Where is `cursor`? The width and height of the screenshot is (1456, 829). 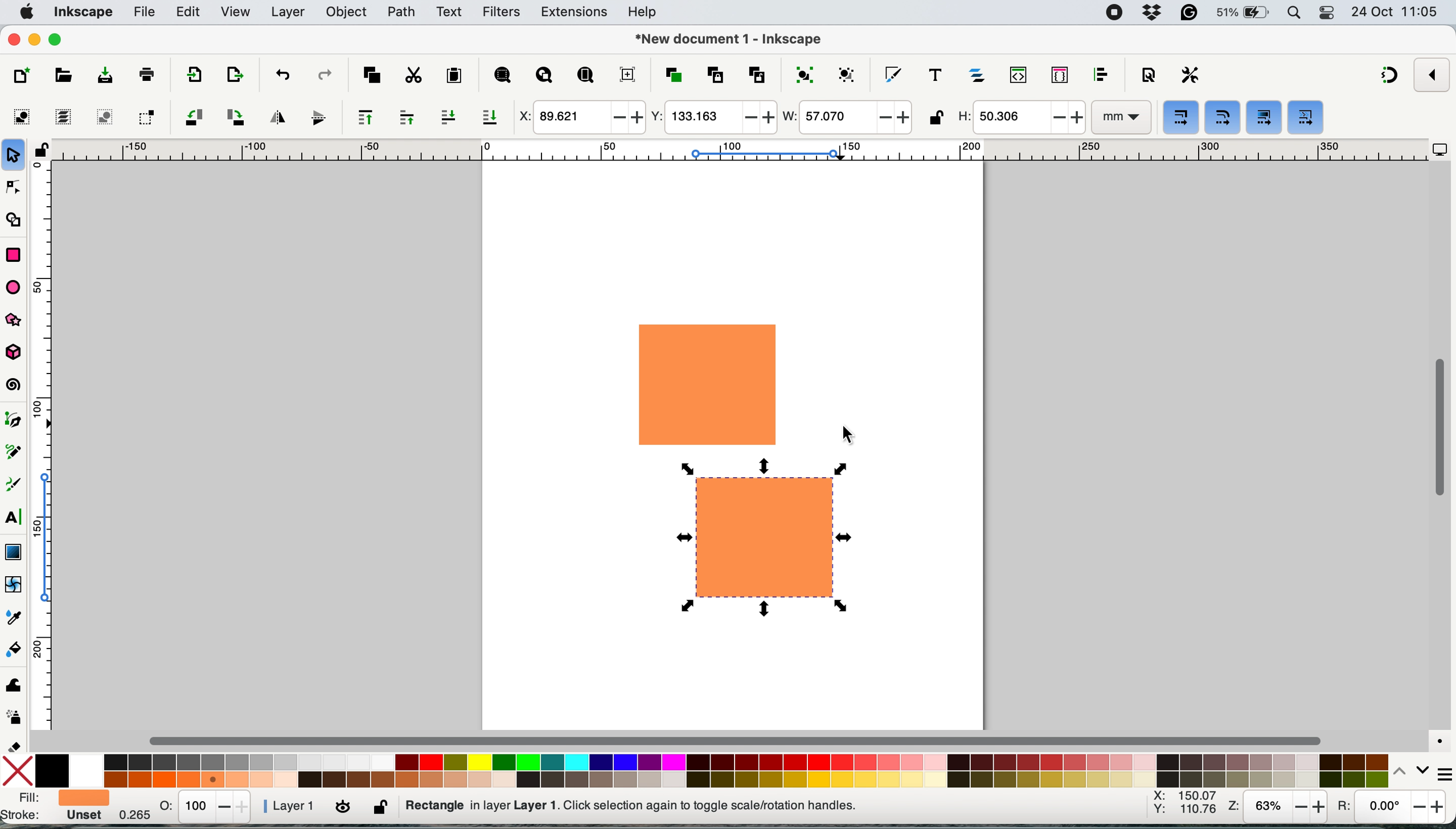 cursor is located at coordinates (853, 438).